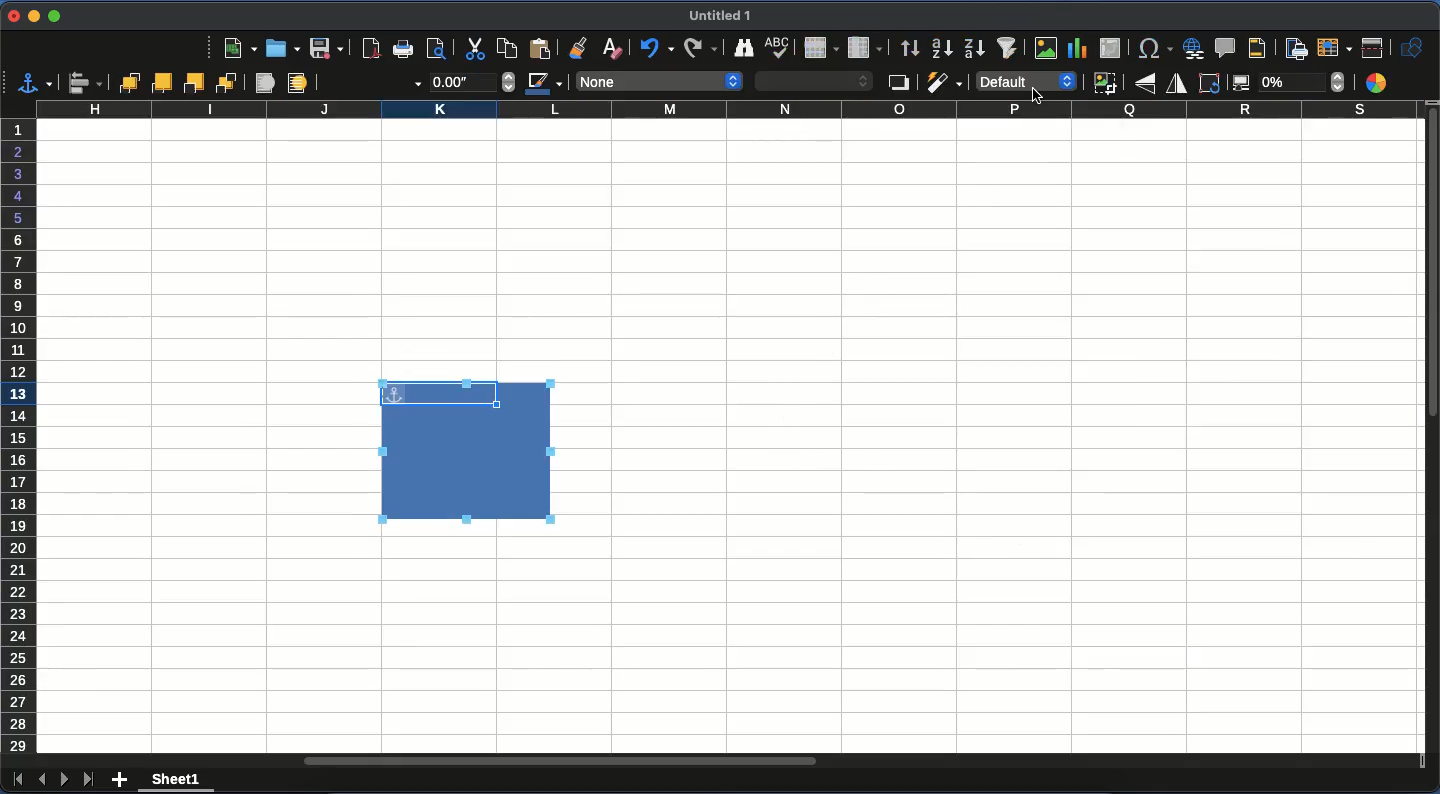 The height and width of the screenshot is (794, 1440). What do you see at coordinates (1105, 83) in the screenshot?
I see `crop image` at bounding box center [1105, 83].